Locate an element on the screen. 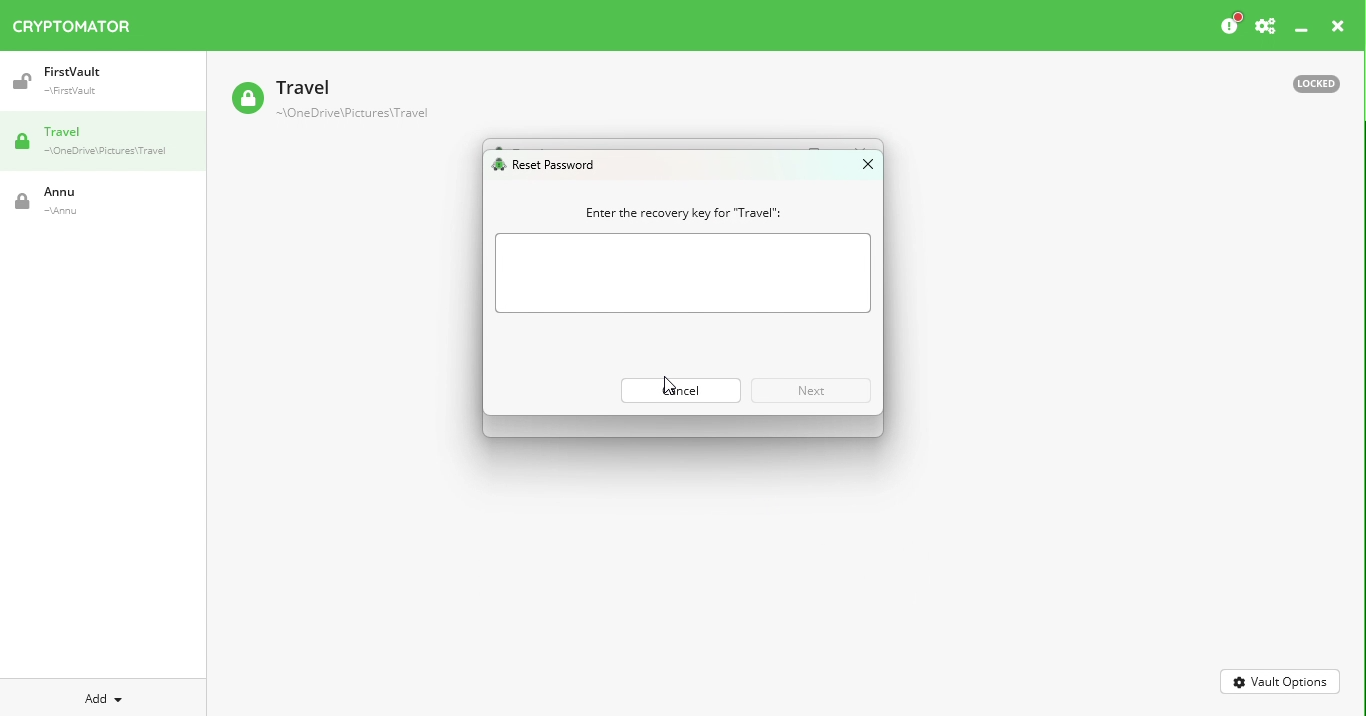 The width and height of the screenshot is (1366, 716). Cancel is located at coordinates (674, 387).